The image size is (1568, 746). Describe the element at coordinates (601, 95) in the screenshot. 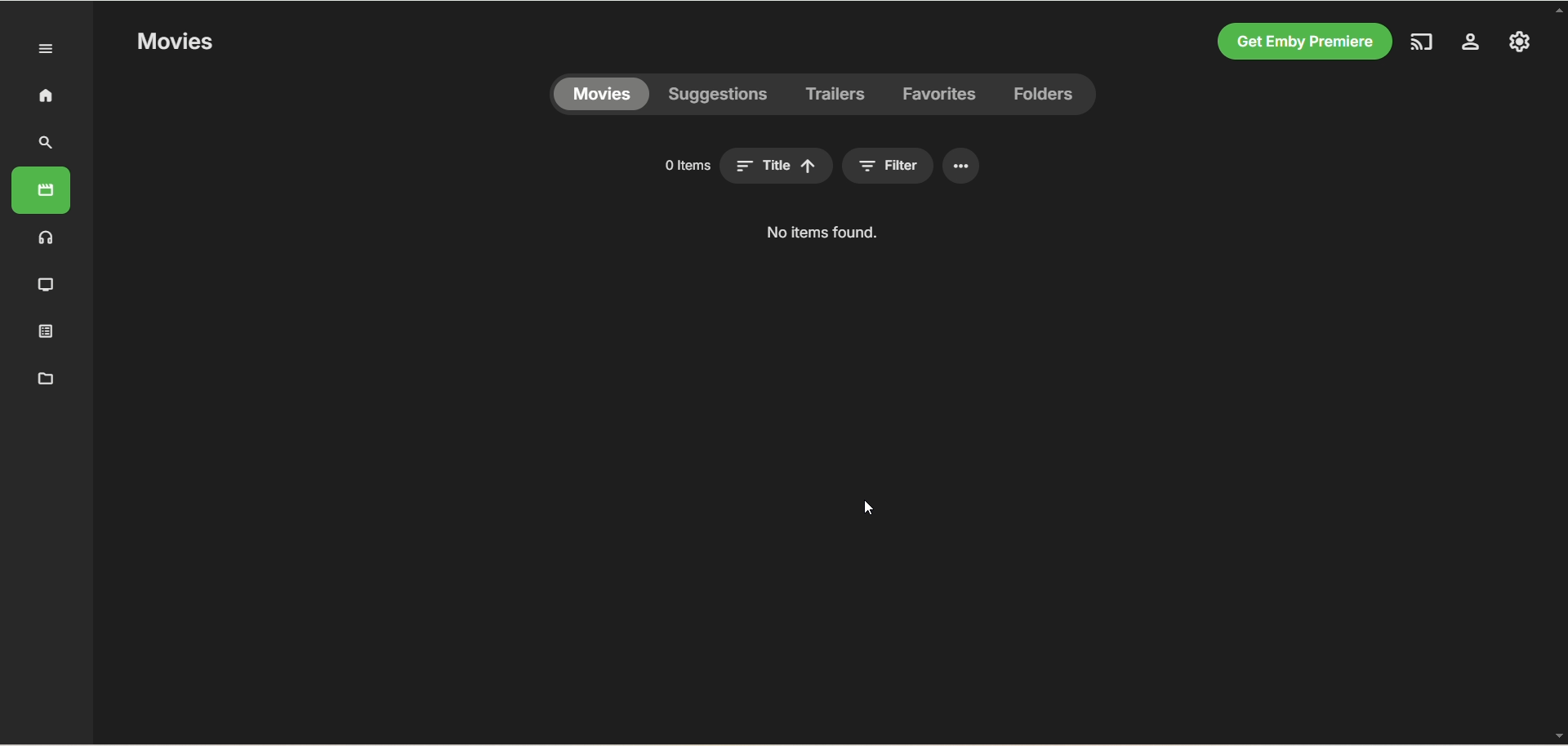

I see `movies` at that location.